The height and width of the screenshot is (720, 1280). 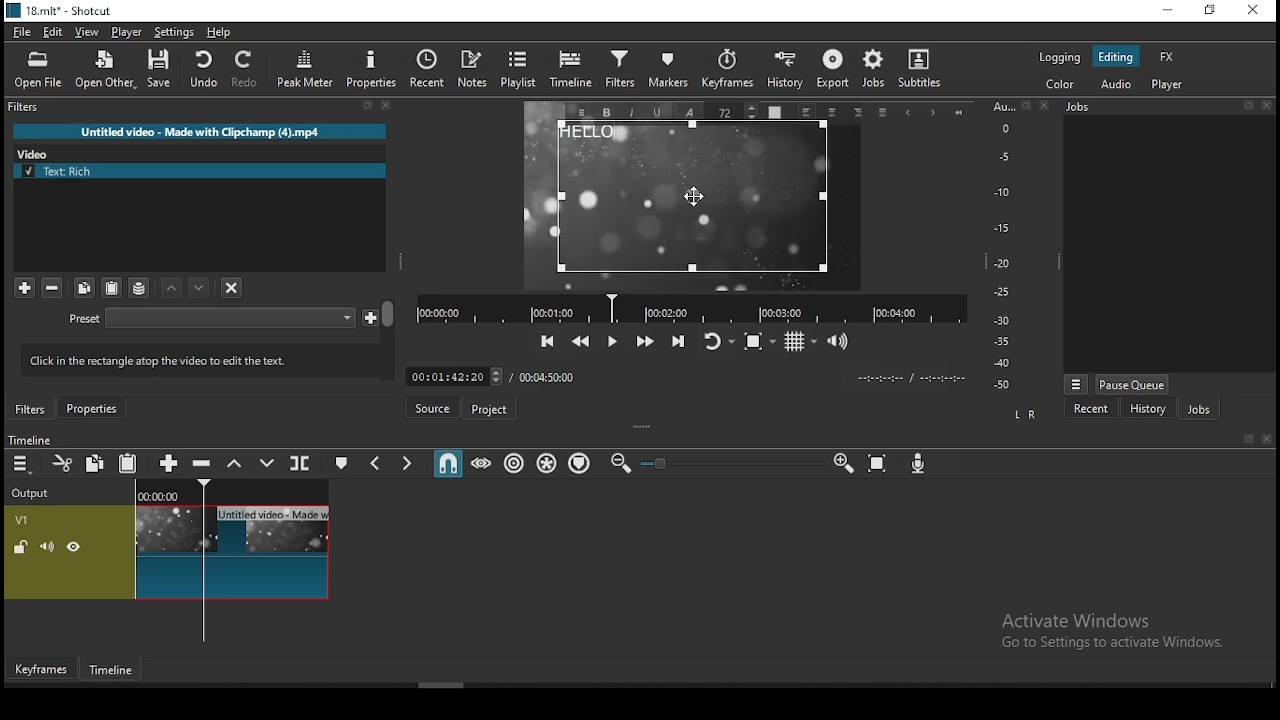 I want to click on ripple, so click(x=513, y=463).